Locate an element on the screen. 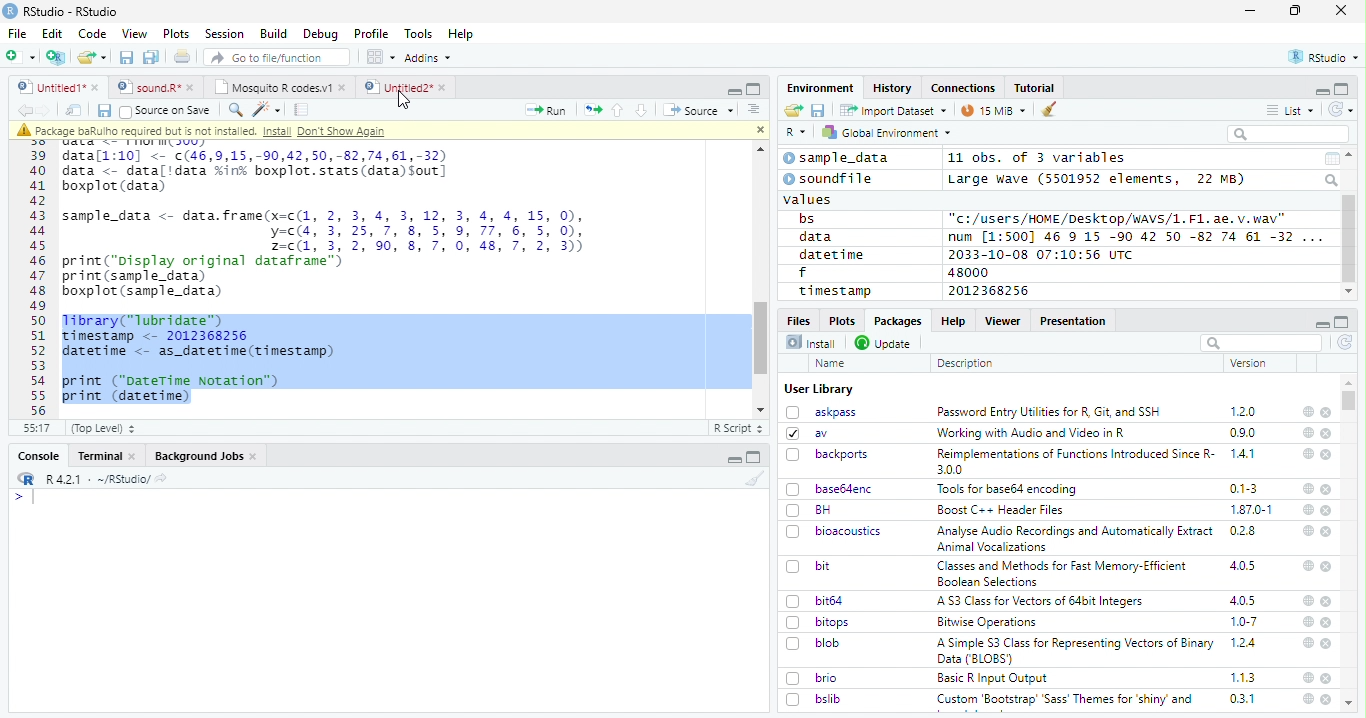  close is located at coordinates (1326, 413).